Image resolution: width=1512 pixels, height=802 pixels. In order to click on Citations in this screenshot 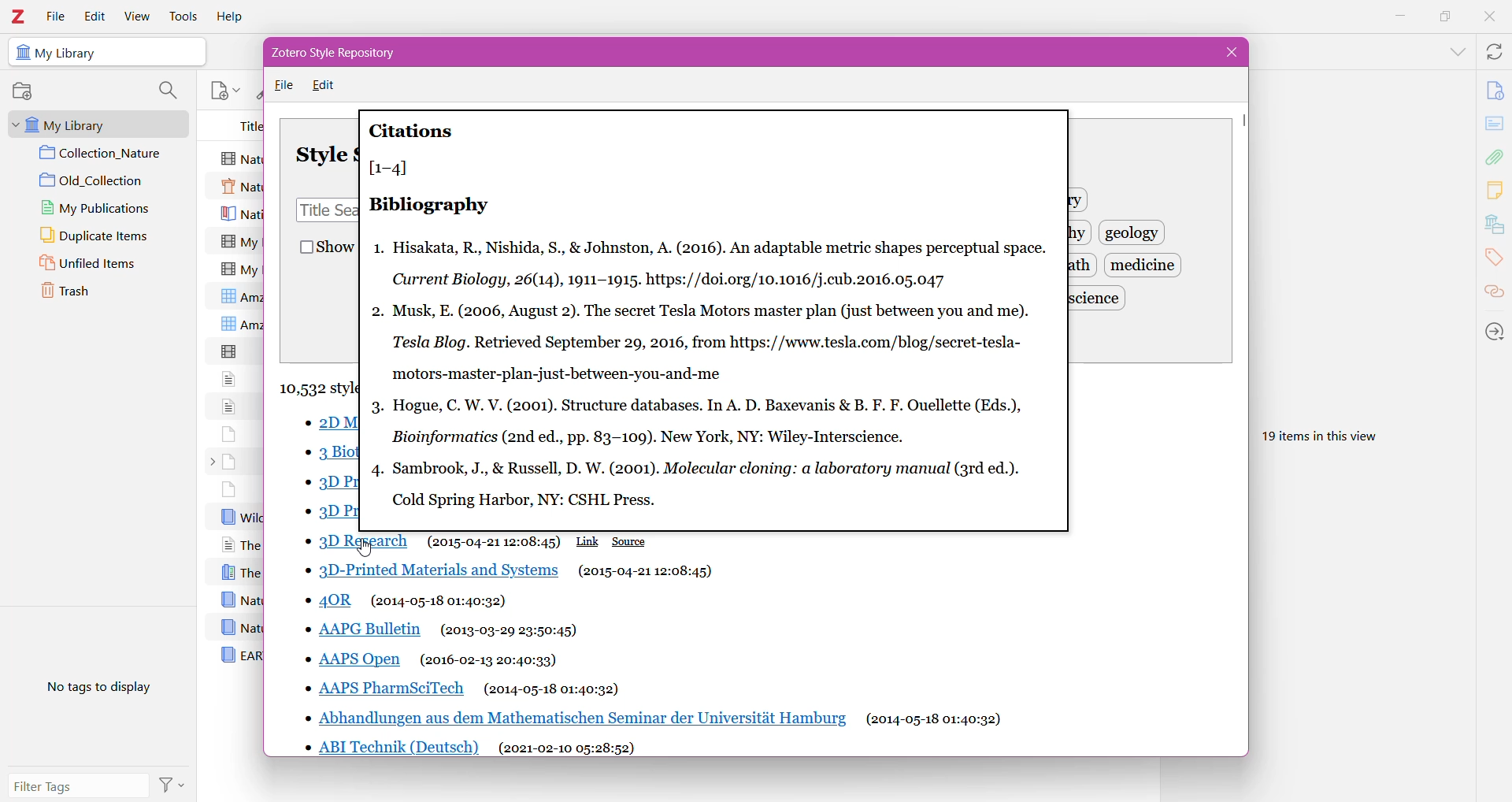, I will do `click(413, 131)`.